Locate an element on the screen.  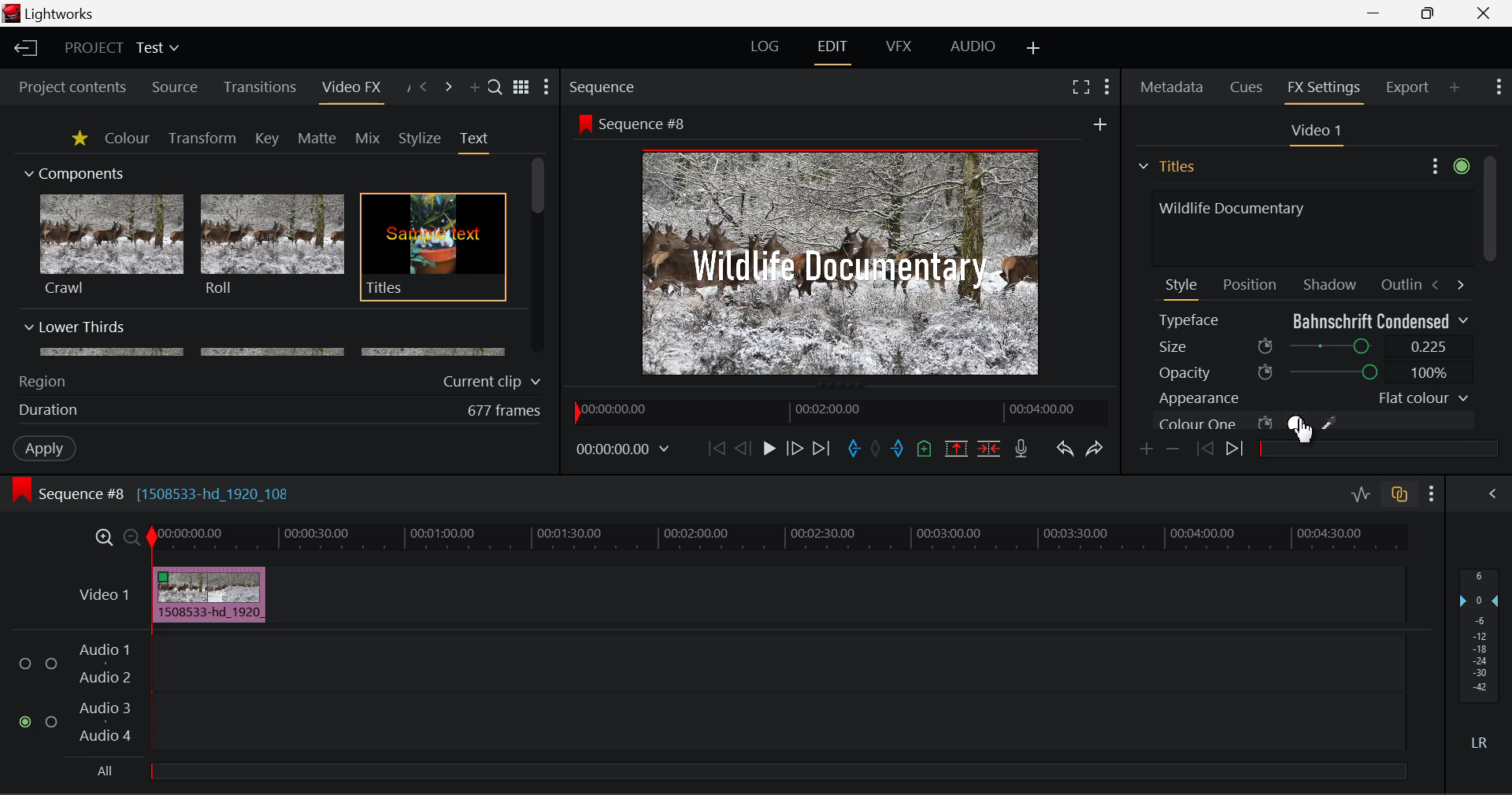
Region is located at coordinates (42, 382).